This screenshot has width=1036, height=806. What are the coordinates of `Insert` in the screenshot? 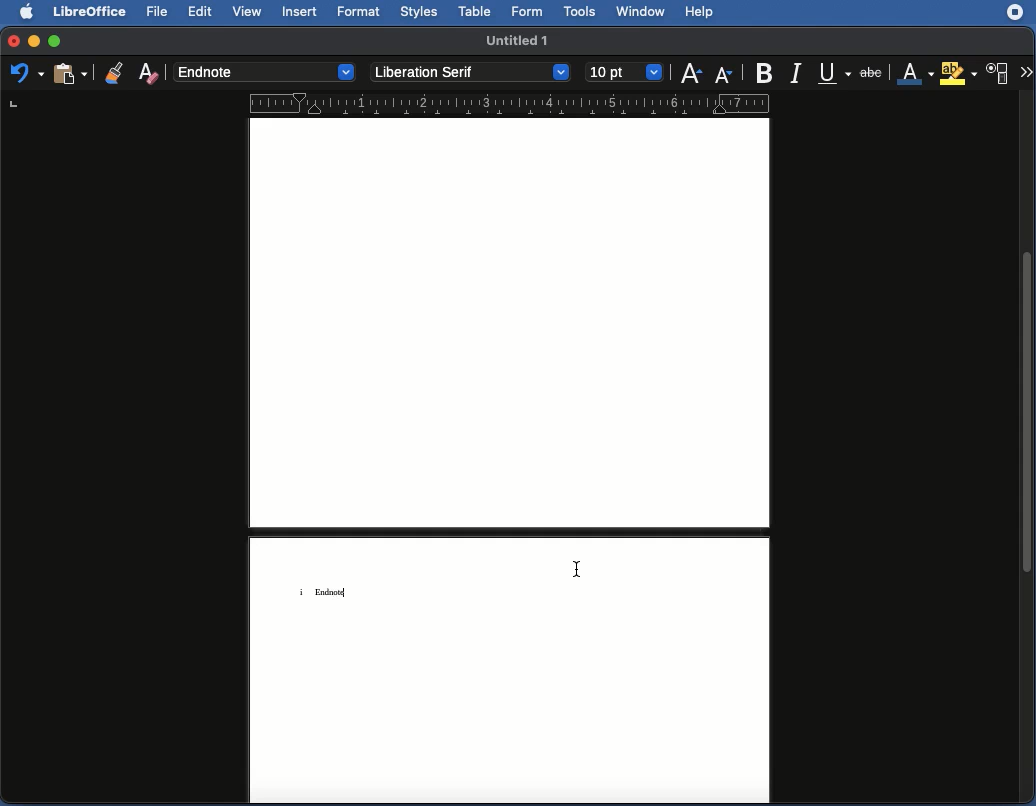 It's located at (298, 11).